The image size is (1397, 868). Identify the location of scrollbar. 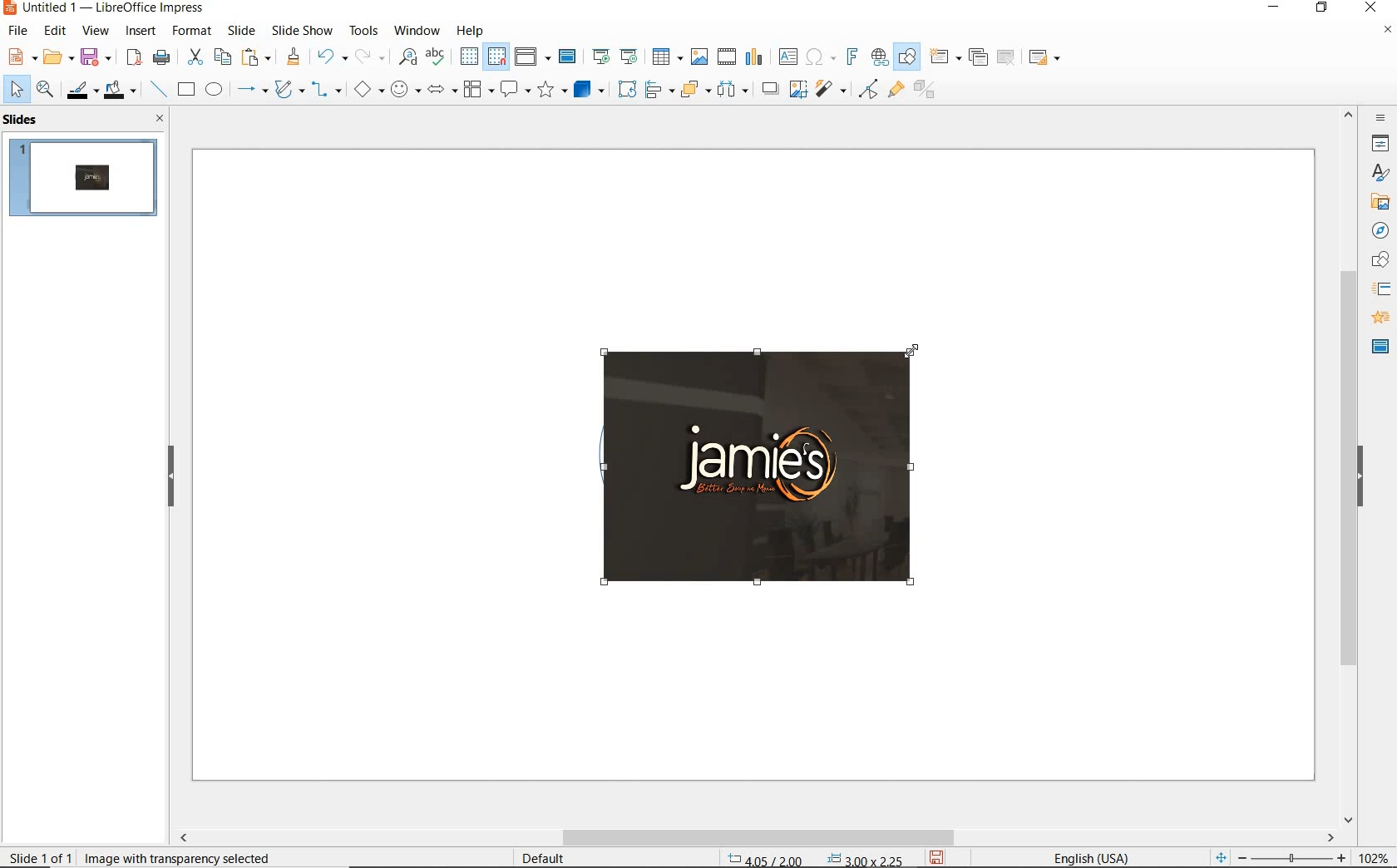
(1349, 465).